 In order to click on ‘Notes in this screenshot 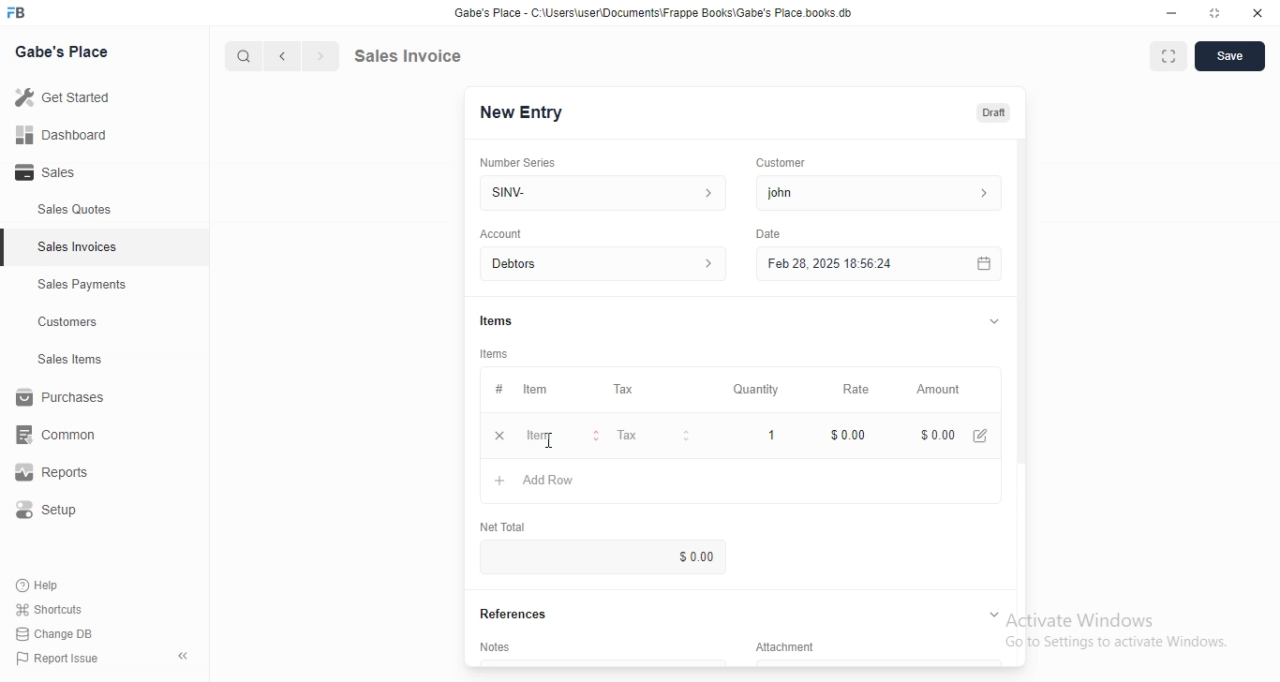, I will do `click(499, 650)`.